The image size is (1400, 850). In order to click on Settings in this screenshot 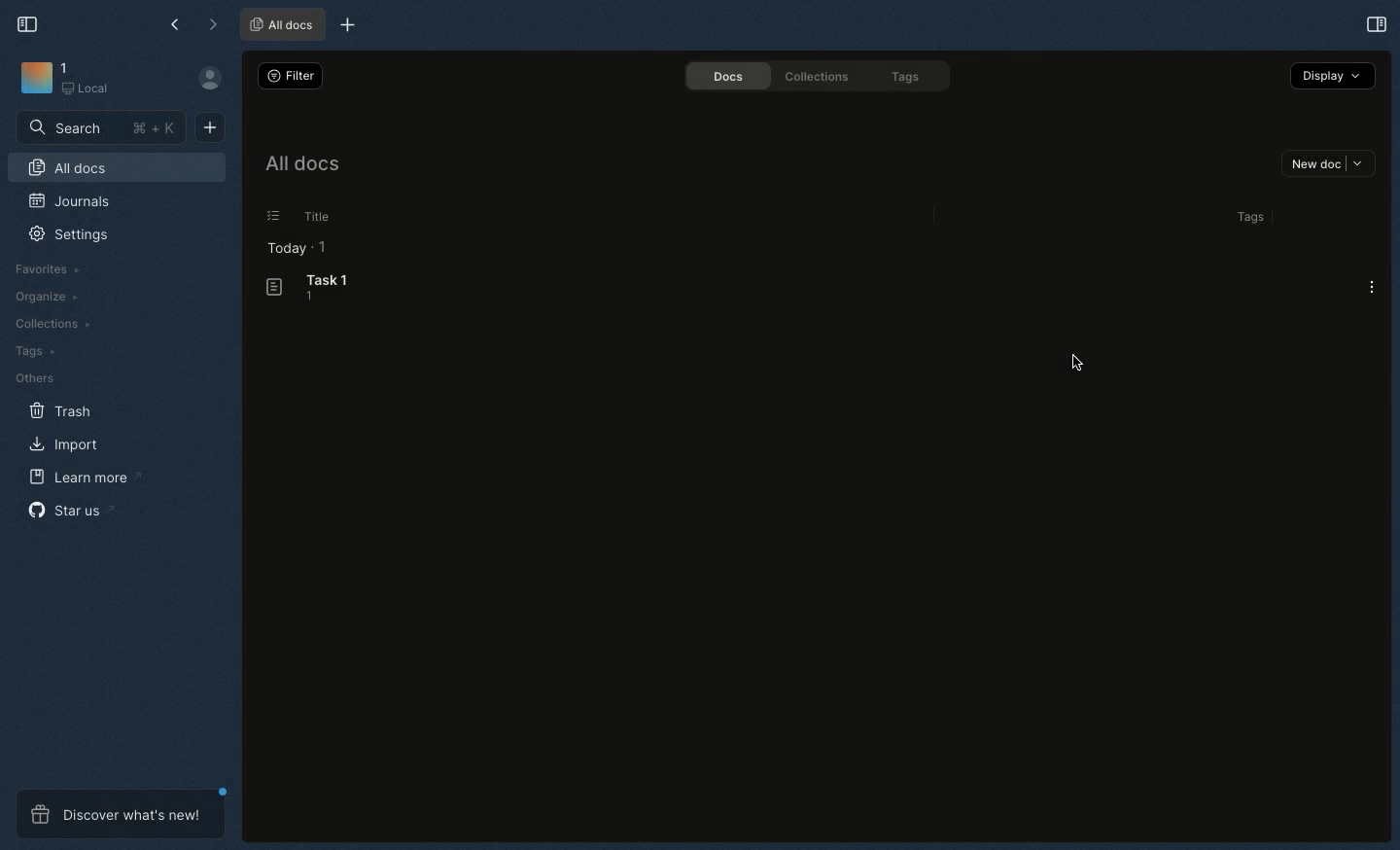, I will do `click(65, 233)`.